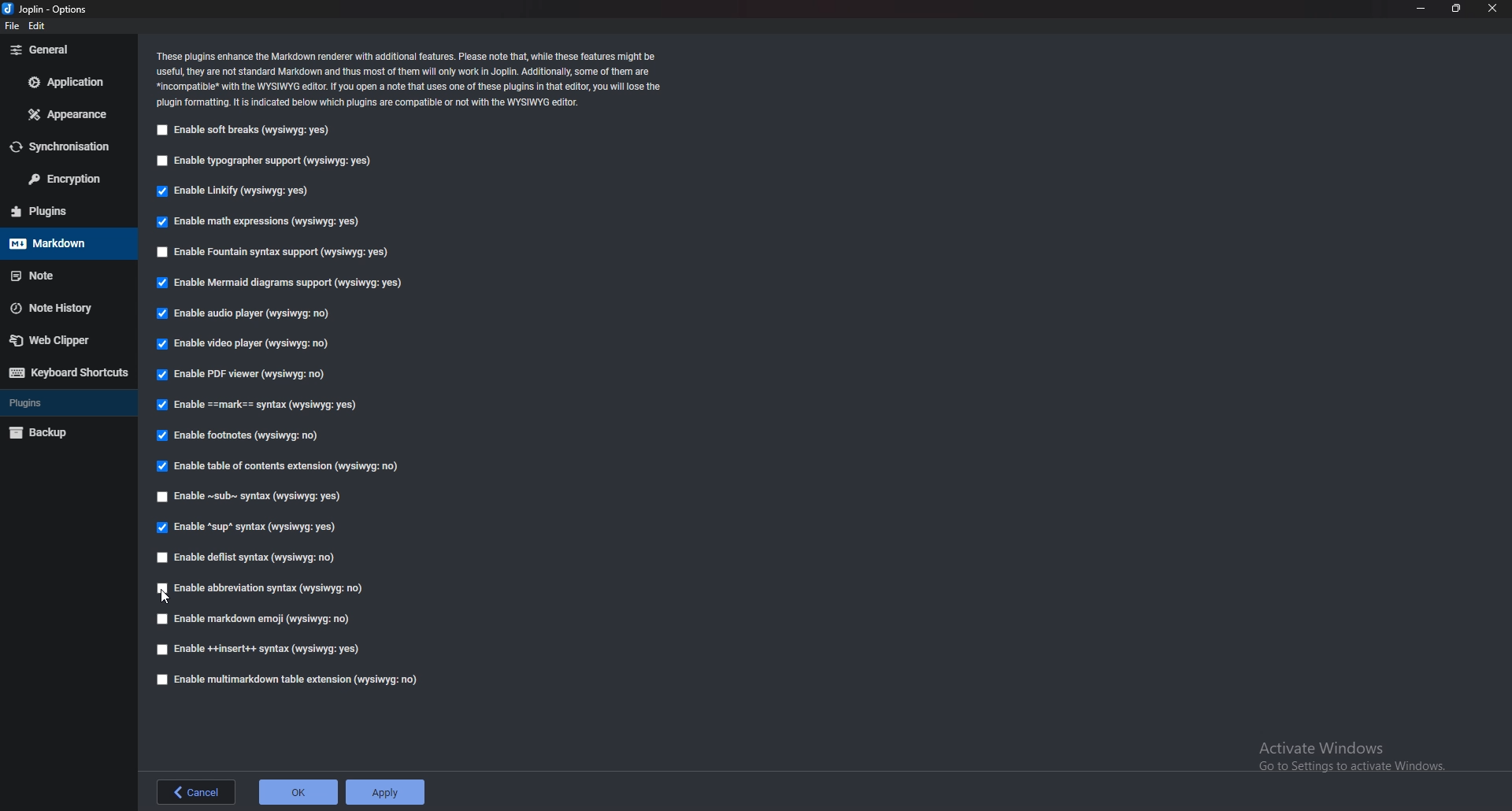 The width and height of the screenshot is (1512, 811). Describe the element at coordinates (64, 114) in the screenshot. I see `appearance` at that location.